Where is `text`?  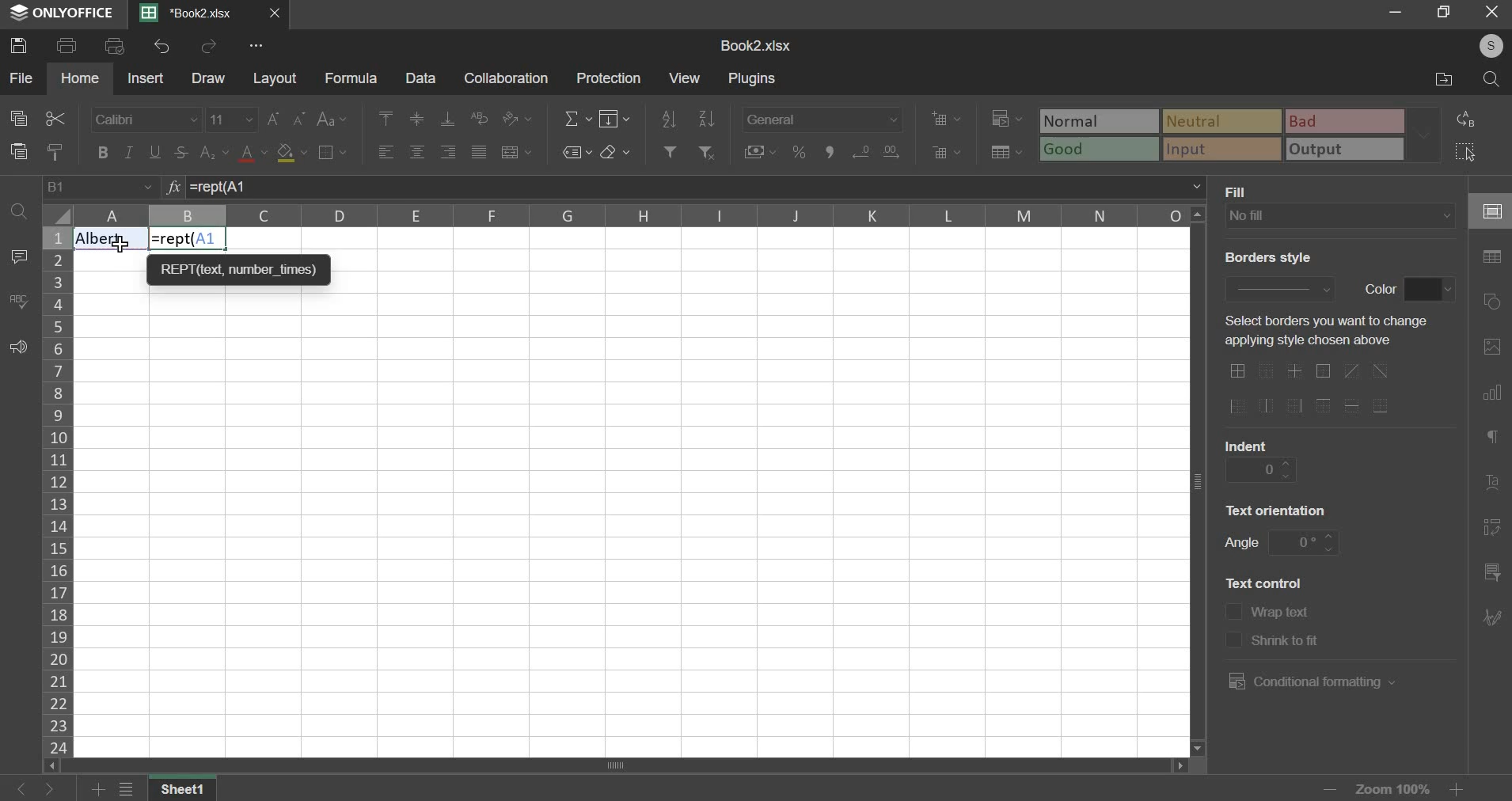 text is located at coordinates (1286, 638).